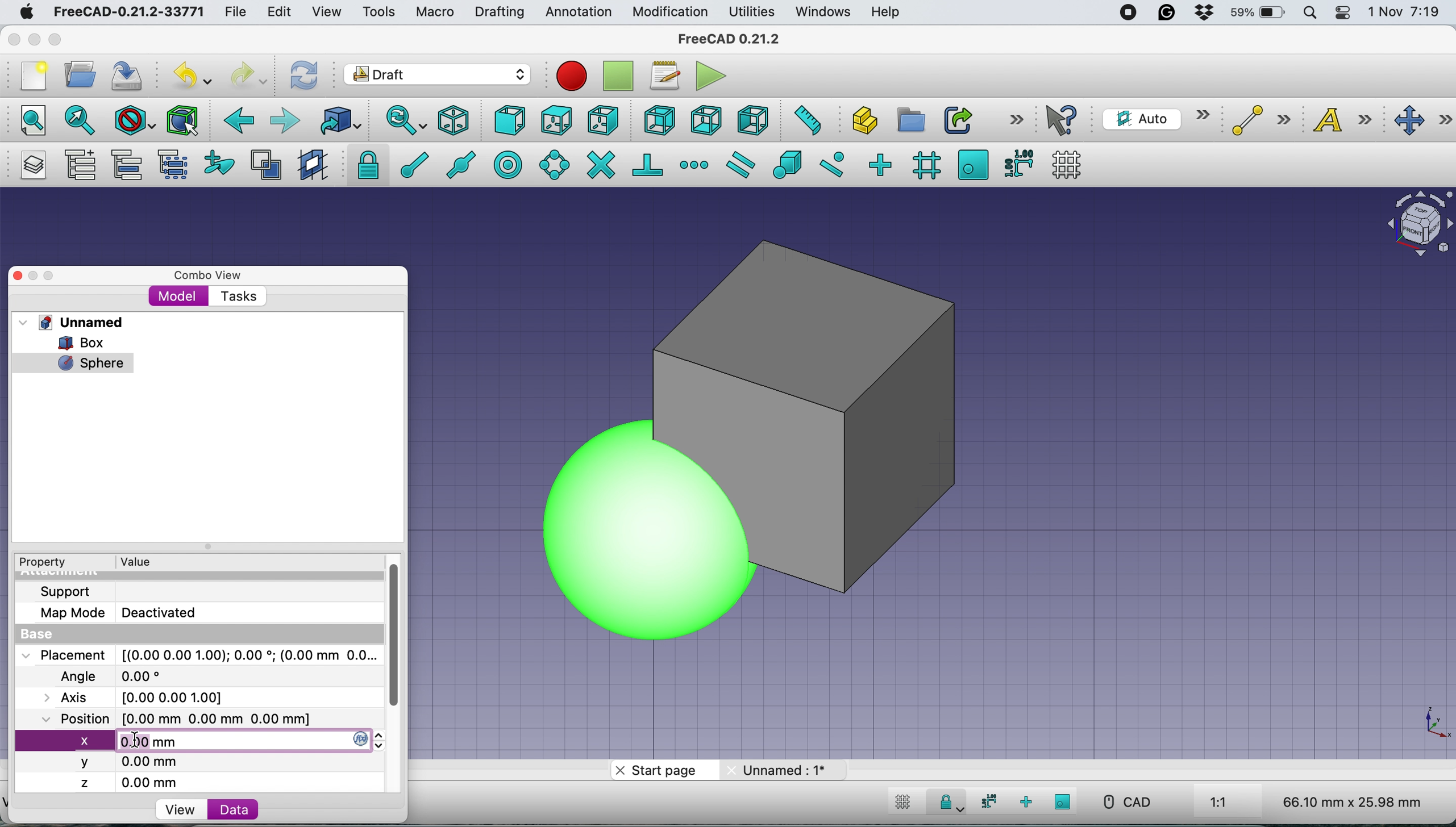 This screenshot has height=827, width=1456. I want to click on spotlight search, so click(1308, 14).